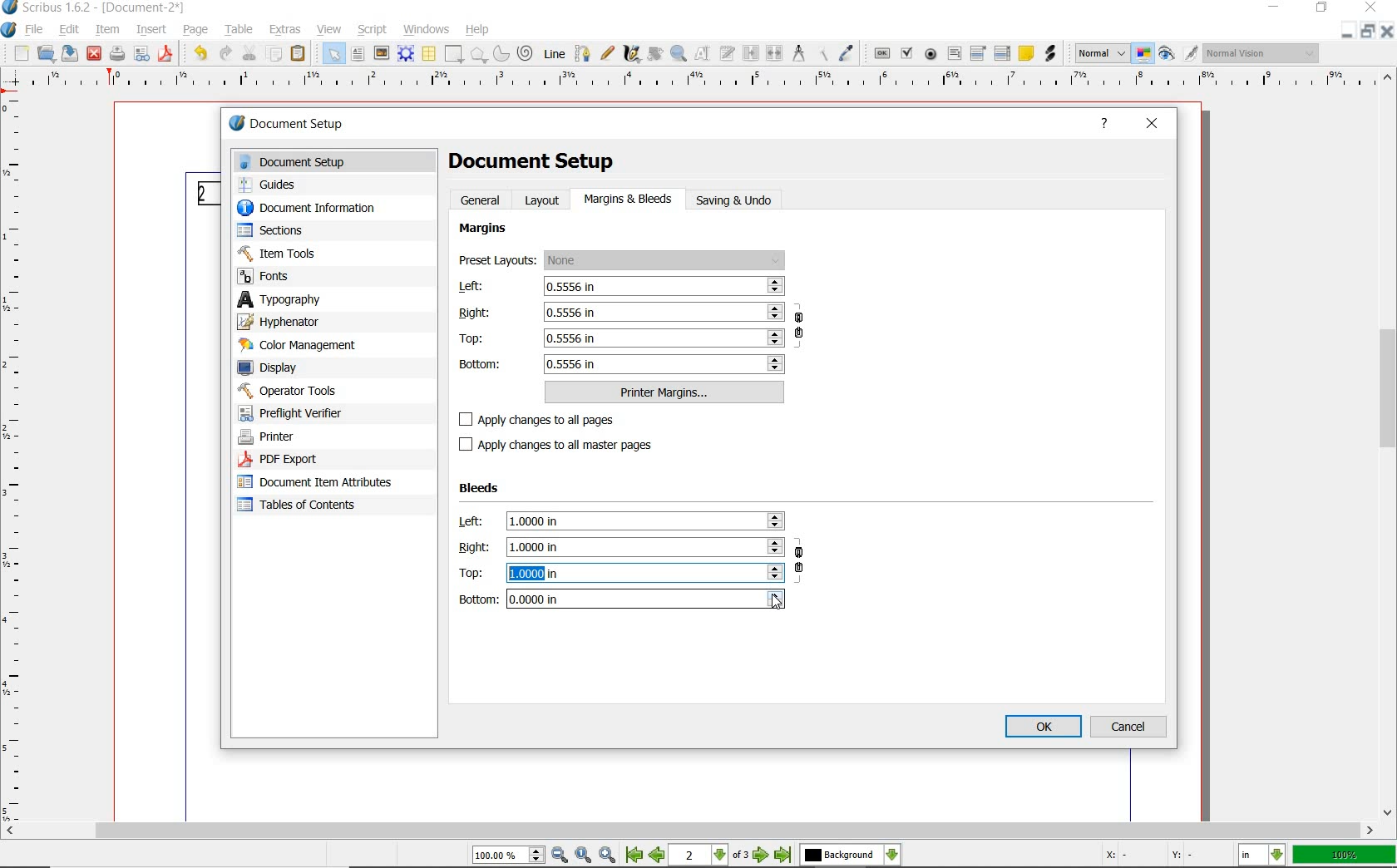 This screenshot has height=868, width=1397. What do you see at coordinates (274, 55) in the screenshot?
I see `copy` at bounding box center [274, 55].